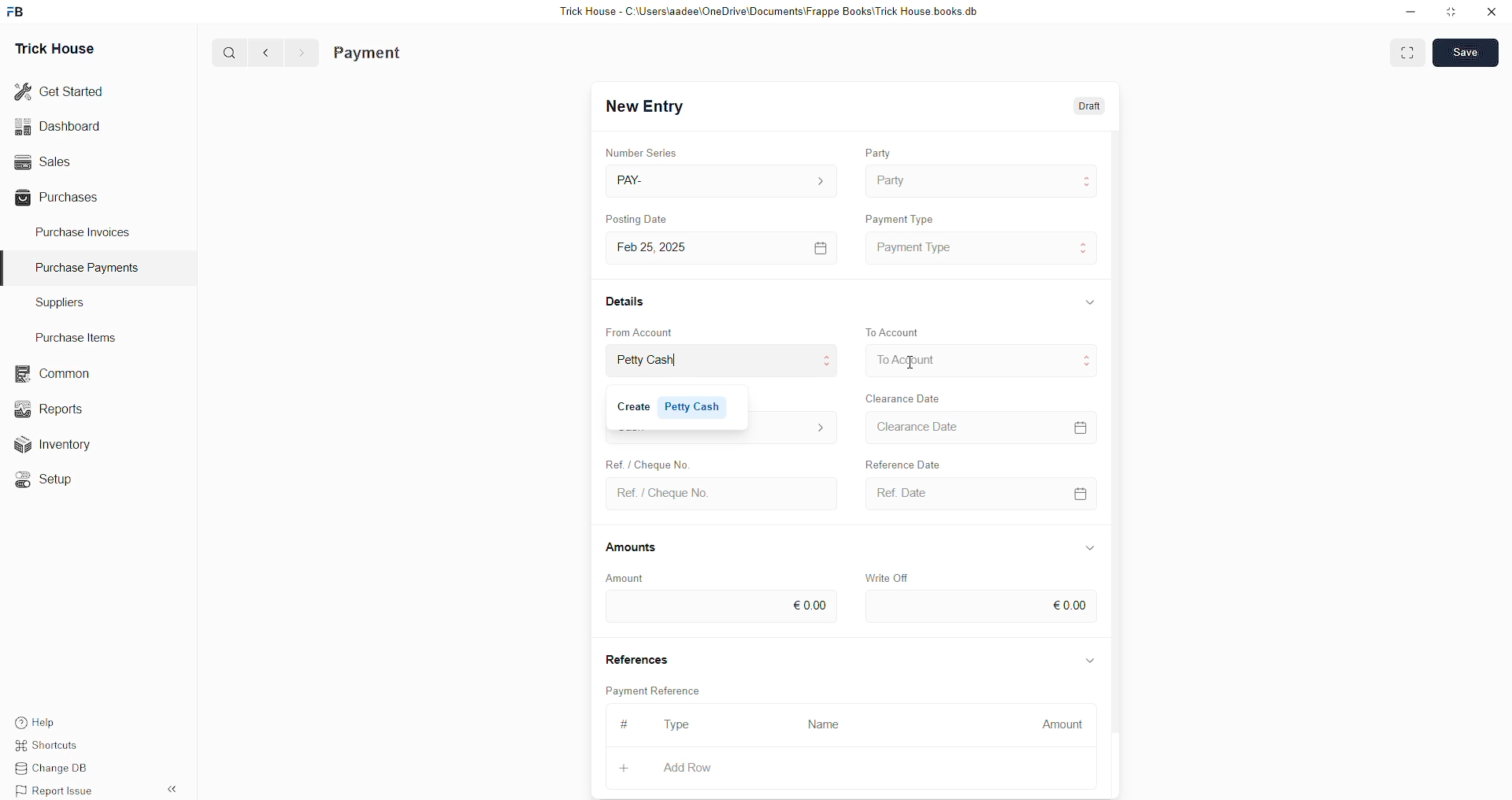  I want to click on Trick House, so click(50, 47).